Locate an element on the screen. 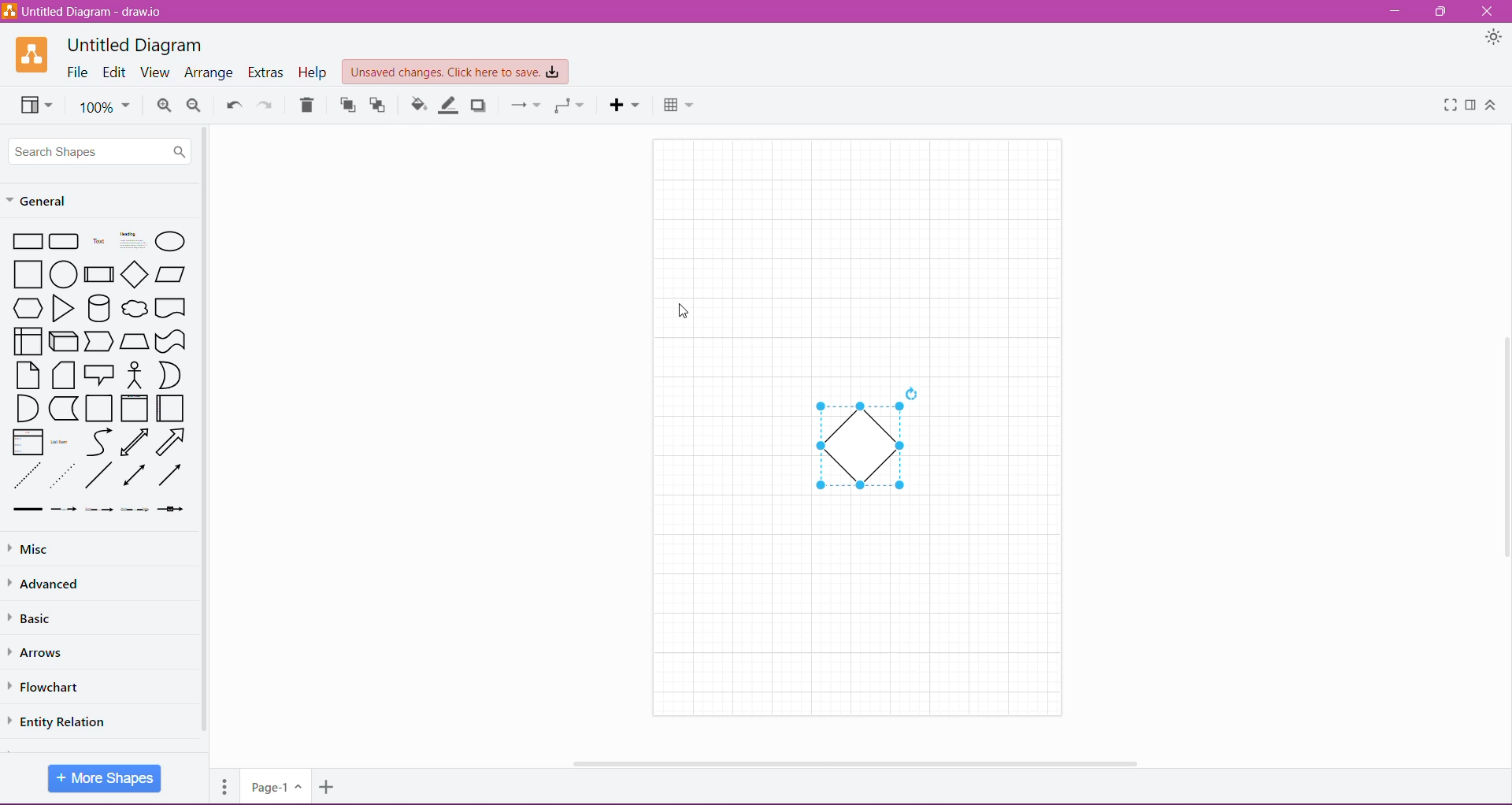  Fill Color is located at coordinates (418, 103).